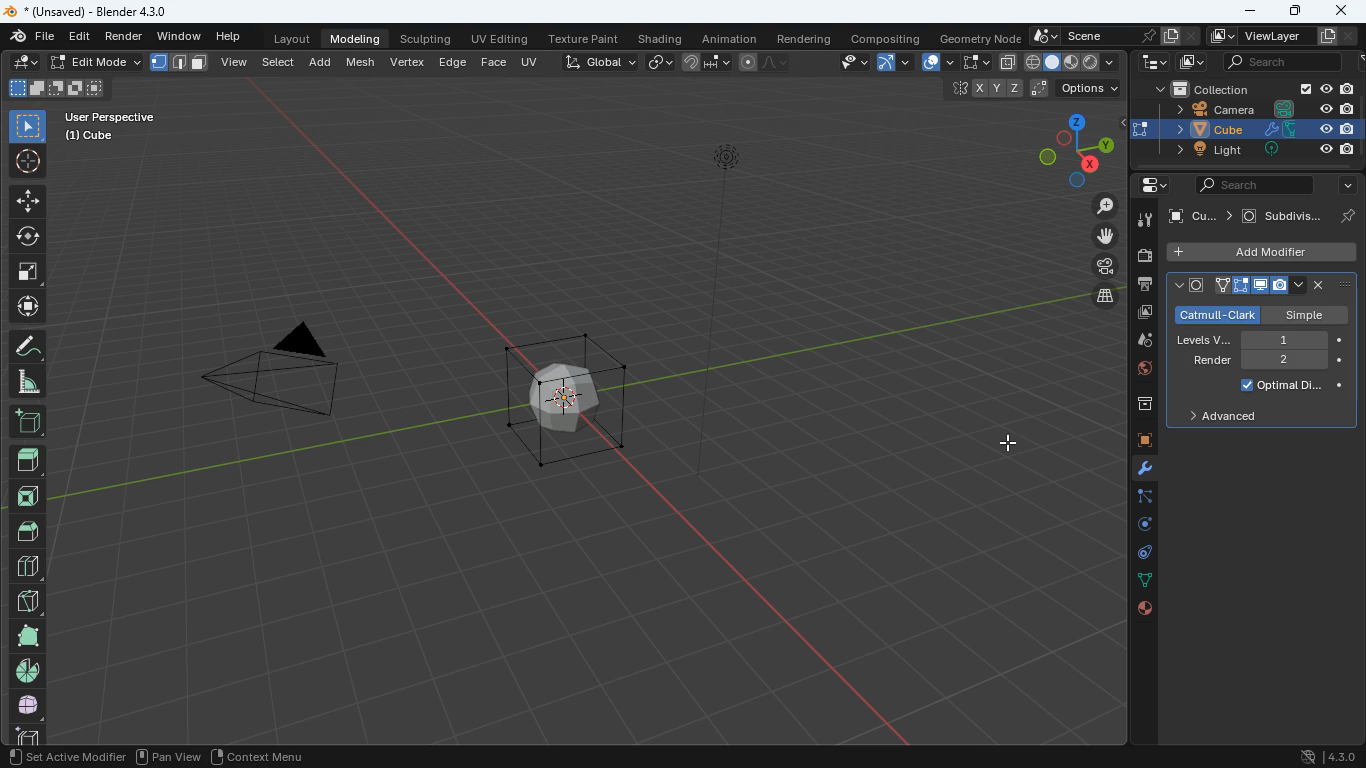  I want to click on window, so click(181, 37).